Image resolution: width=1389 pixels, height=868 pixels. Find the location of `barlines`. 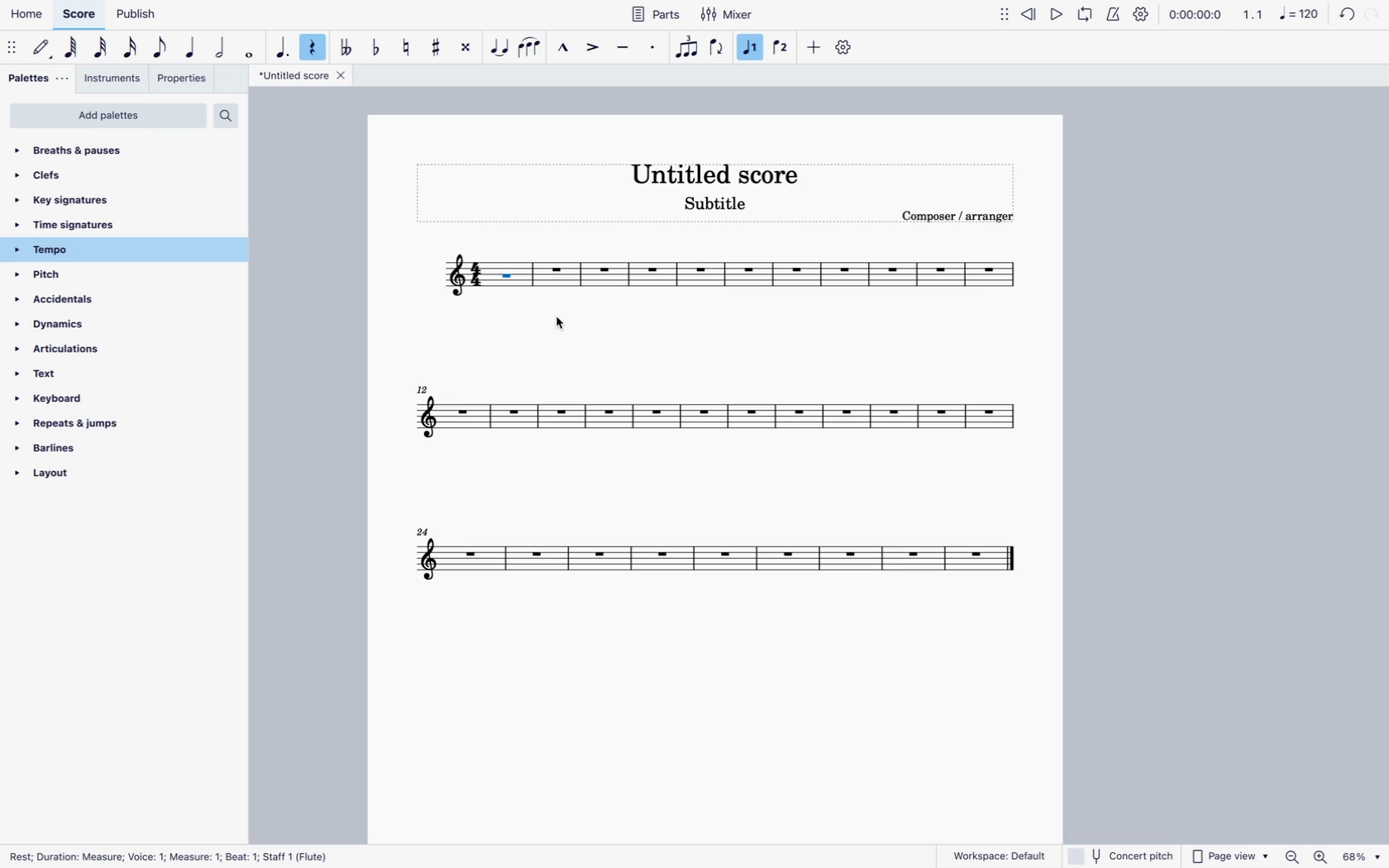

barlines is located at coordinates (78, 451).